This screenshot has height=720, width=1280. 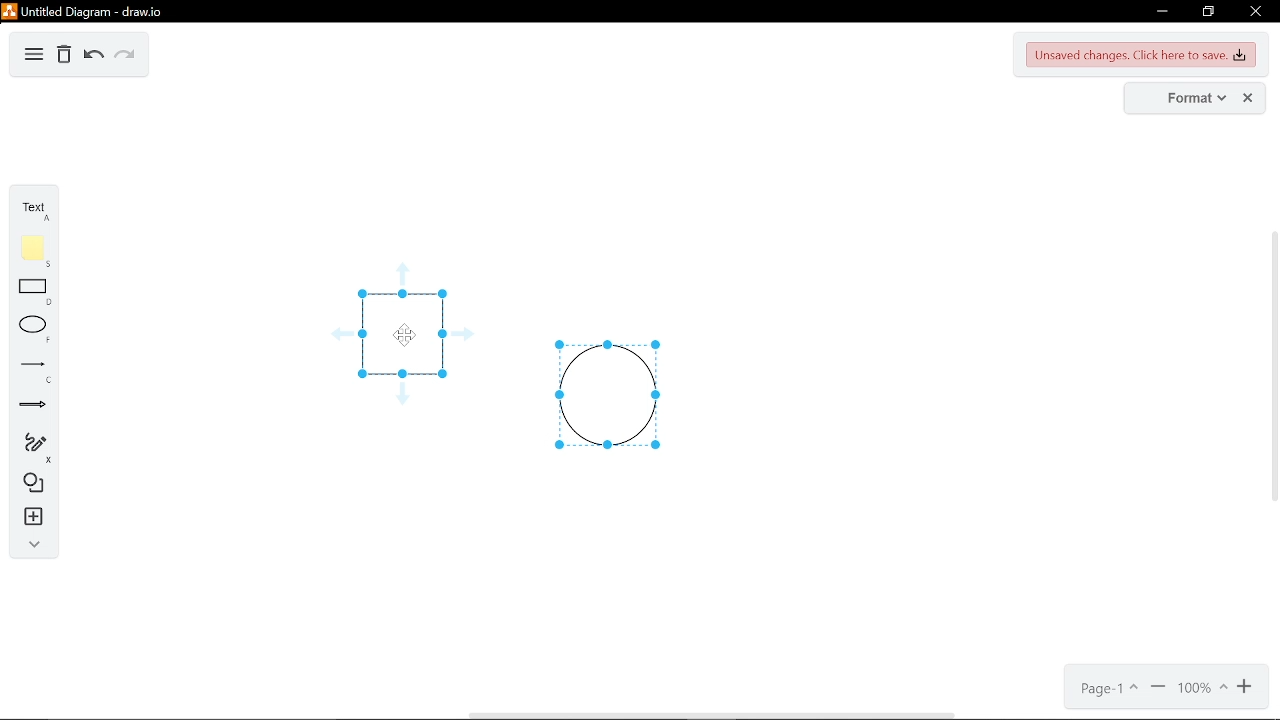 What do you see at coordinates (126, 55) in the screenshot?
I see `redo` at bounding box center [126, 55].